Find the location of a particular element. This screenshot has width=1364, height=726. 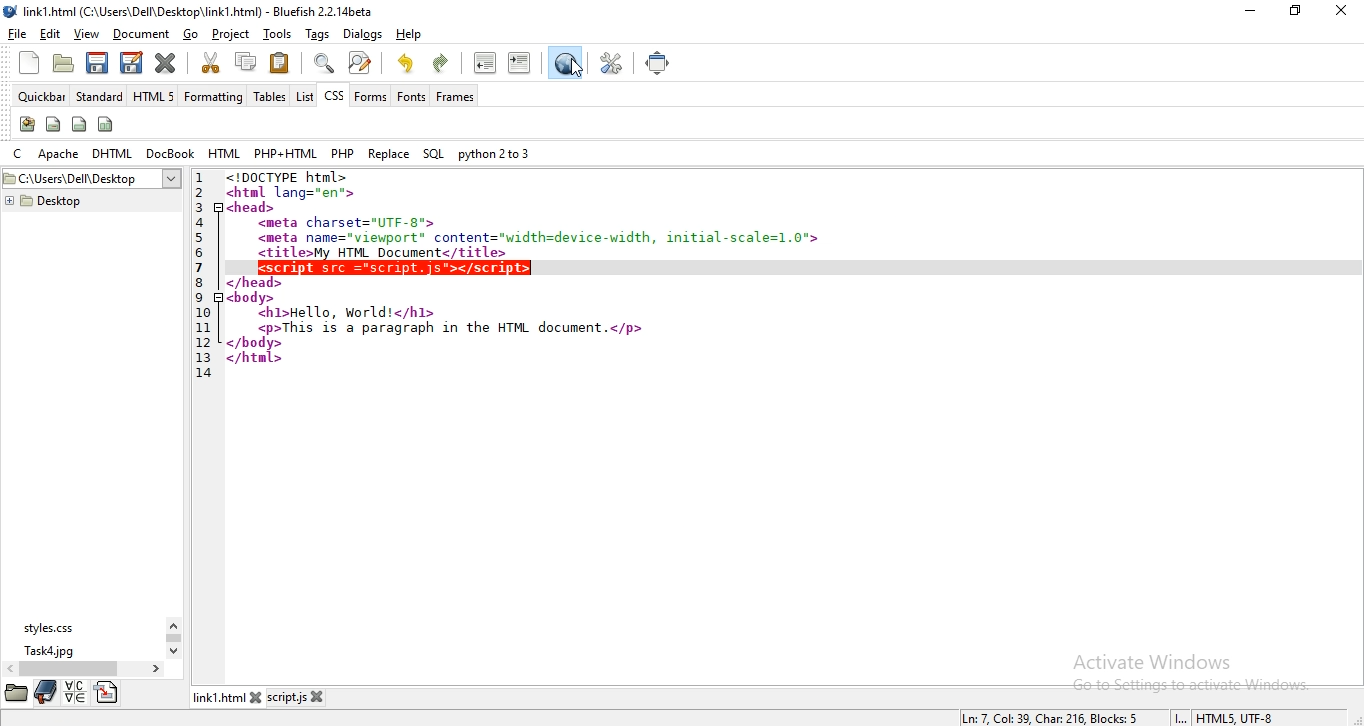

paste is located at coordinates (281, 63).